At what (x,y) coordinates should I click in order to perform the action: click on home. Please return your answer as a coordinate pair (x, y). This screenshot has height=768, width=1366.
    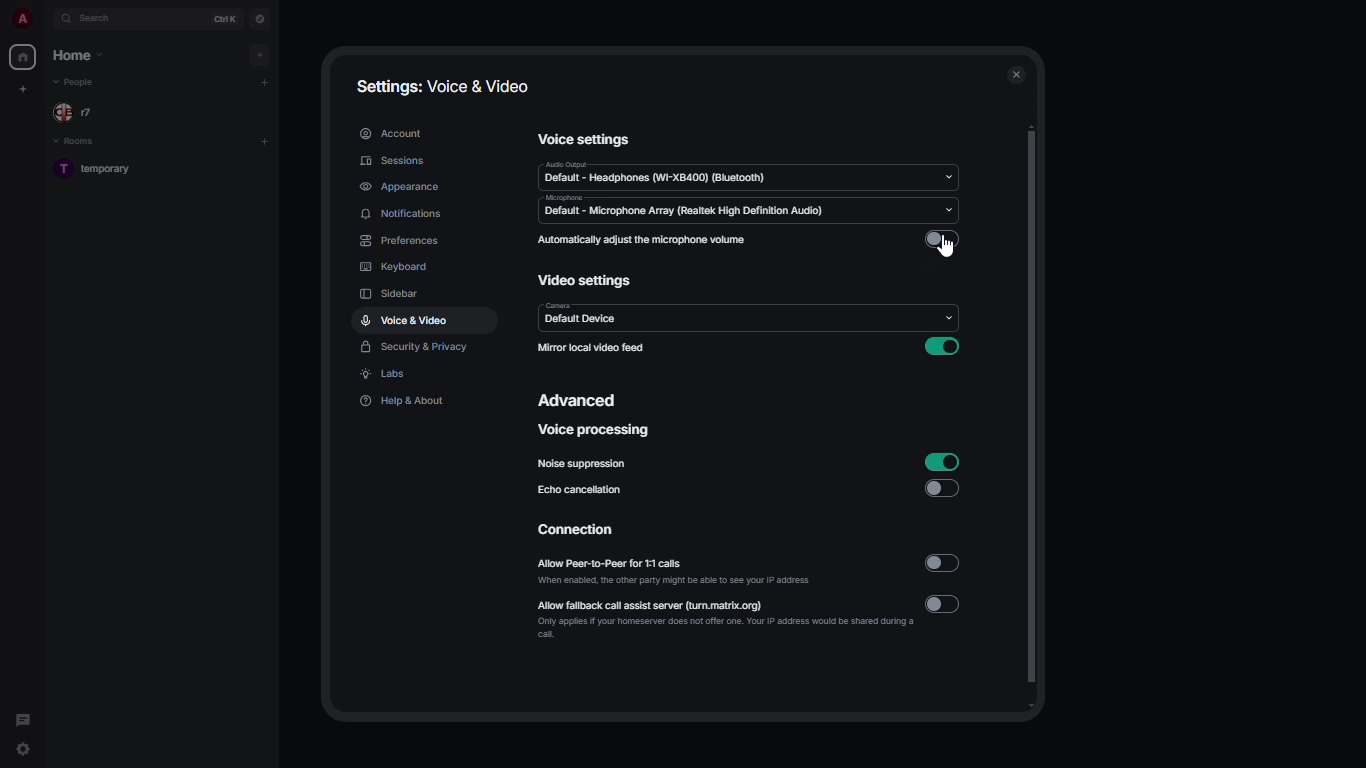
    Looking at the image, I should click on (78, 54).